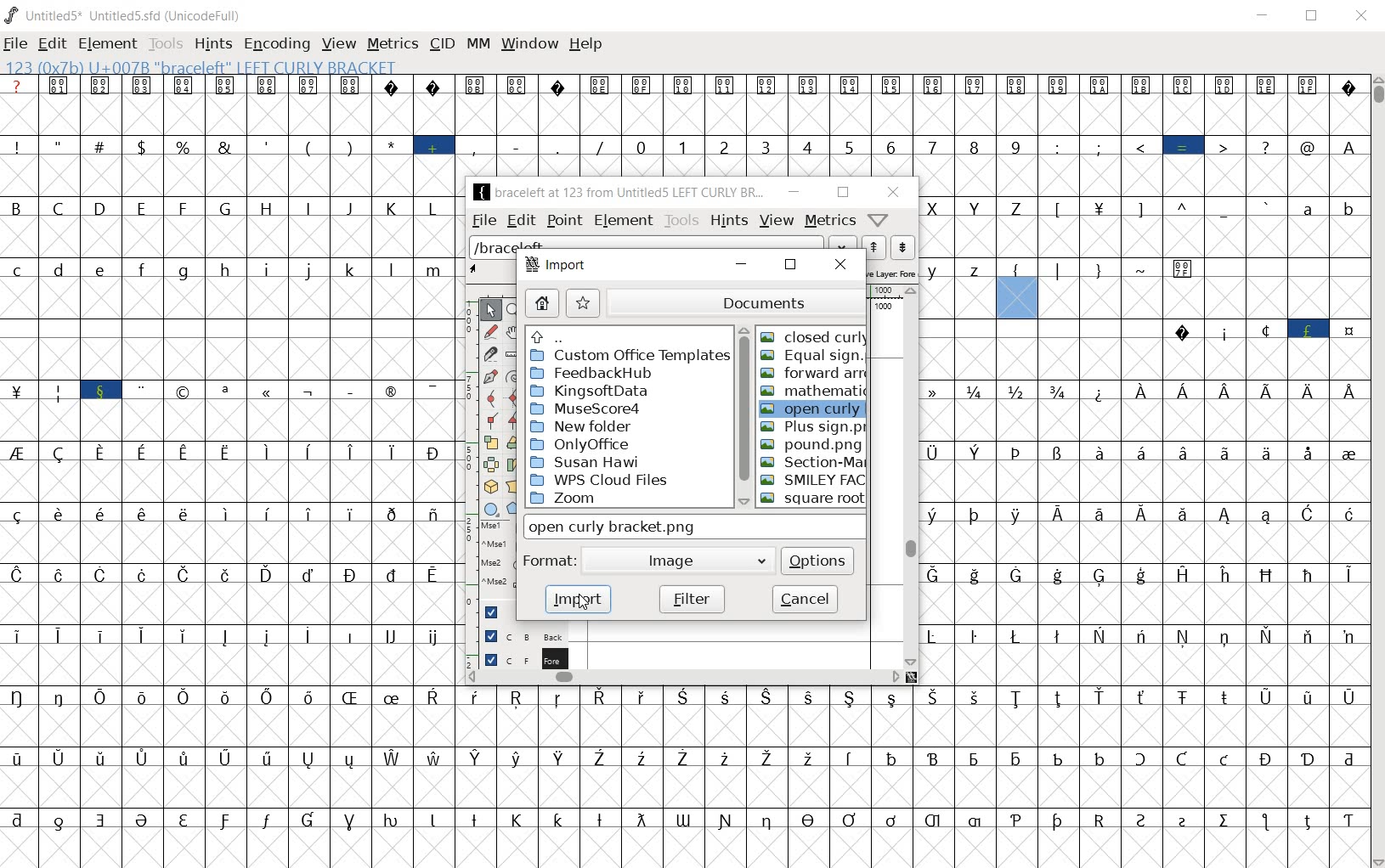 Image resolution: width=1385 pixels, height=868 pixels. I want to click on format, so click(547, 561).